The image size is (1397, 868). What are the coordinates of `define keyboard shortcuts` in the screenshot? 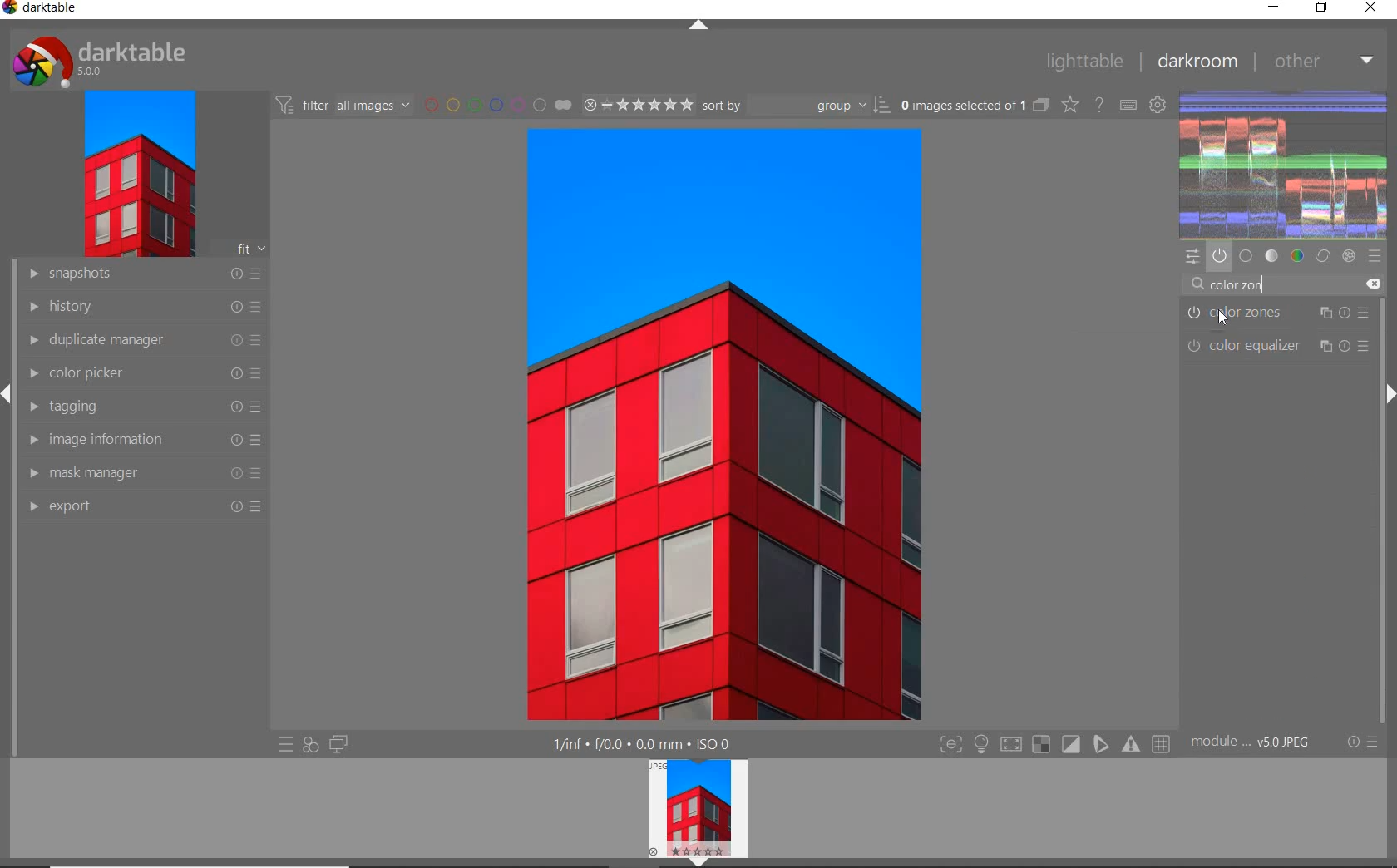 It's located at (1129, 105).